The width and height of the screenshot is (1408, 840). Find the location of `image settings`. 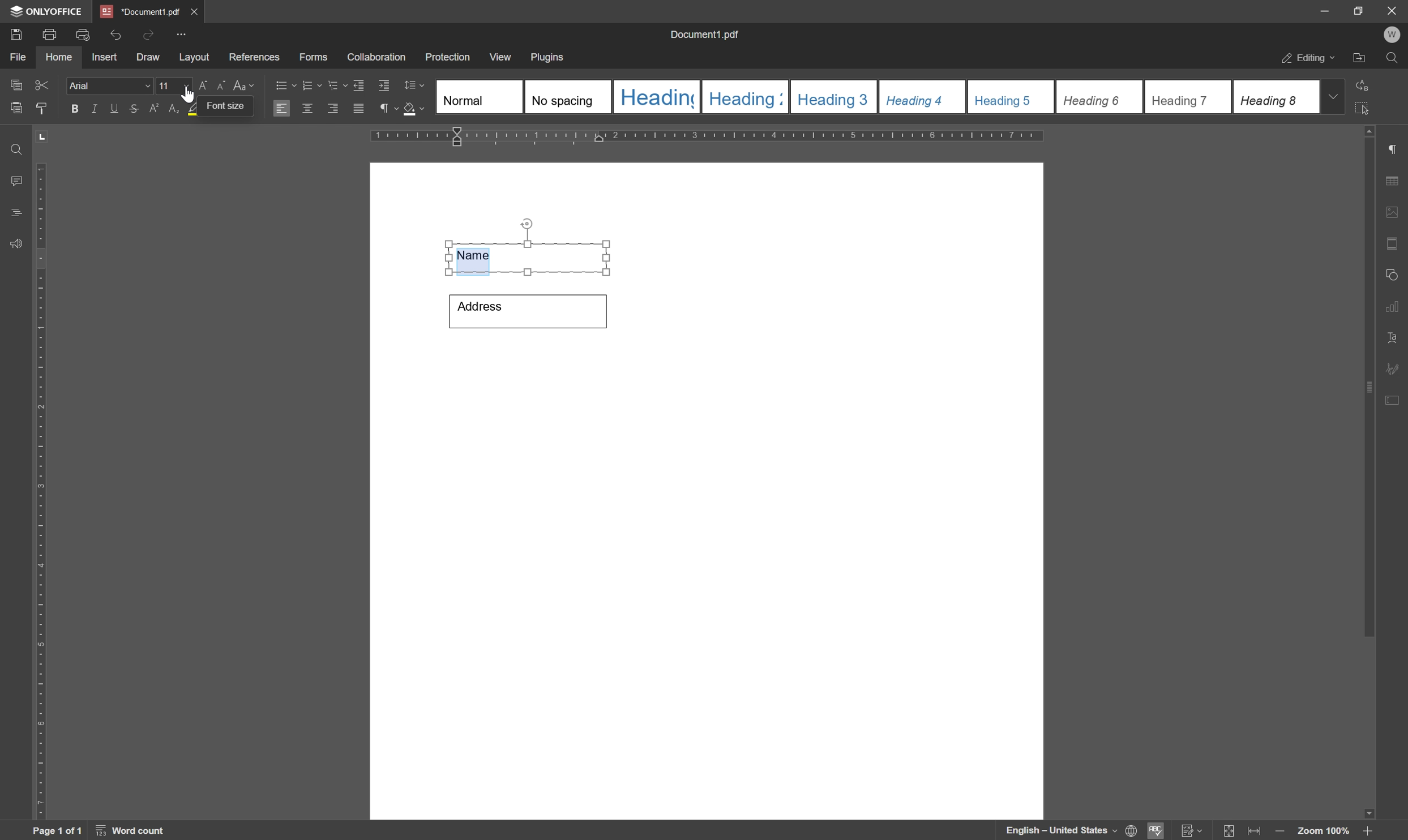

image settings is located at coordinates (1397, 215).